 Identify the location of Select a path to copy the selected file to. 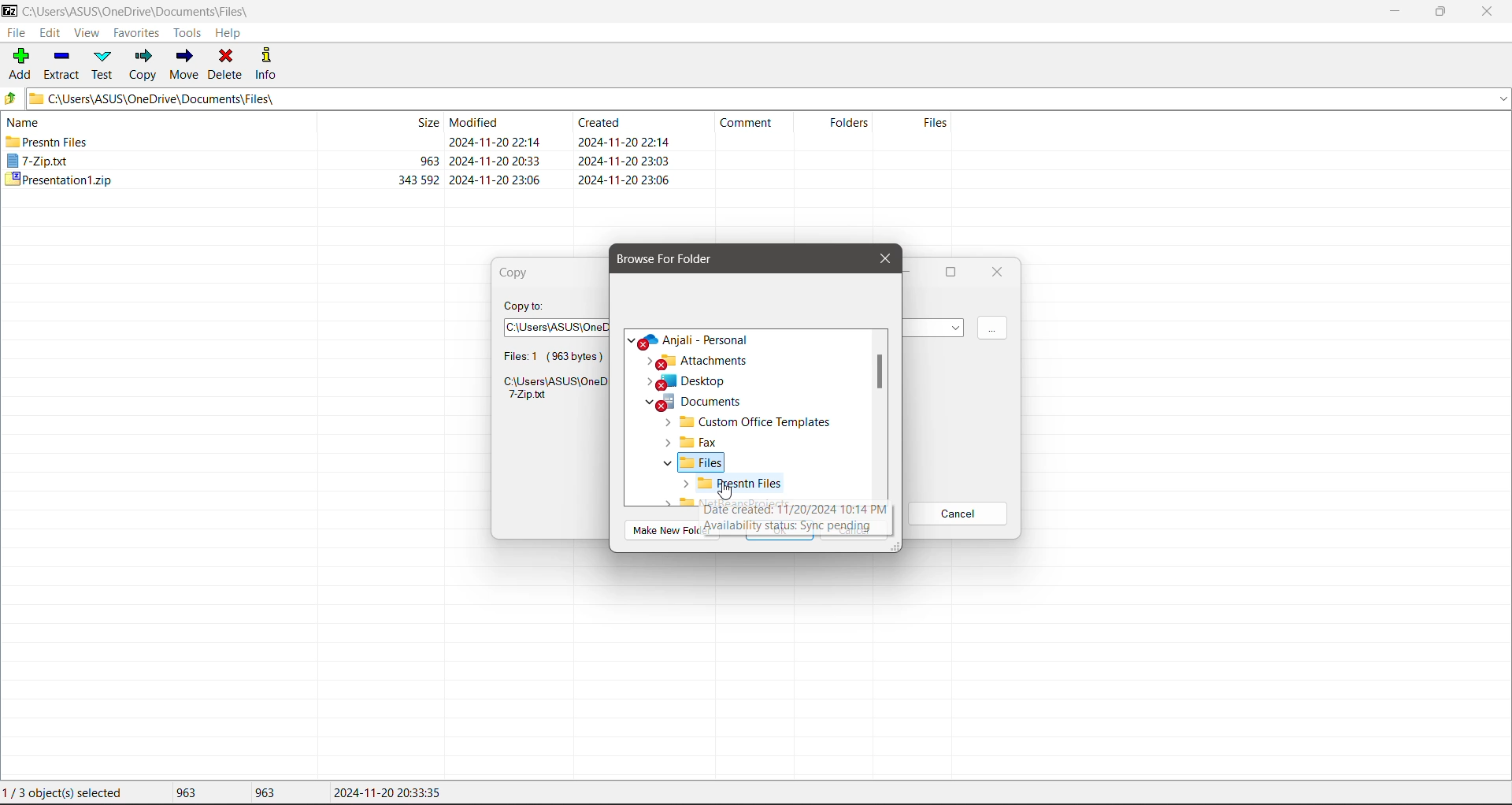
(554, 325).